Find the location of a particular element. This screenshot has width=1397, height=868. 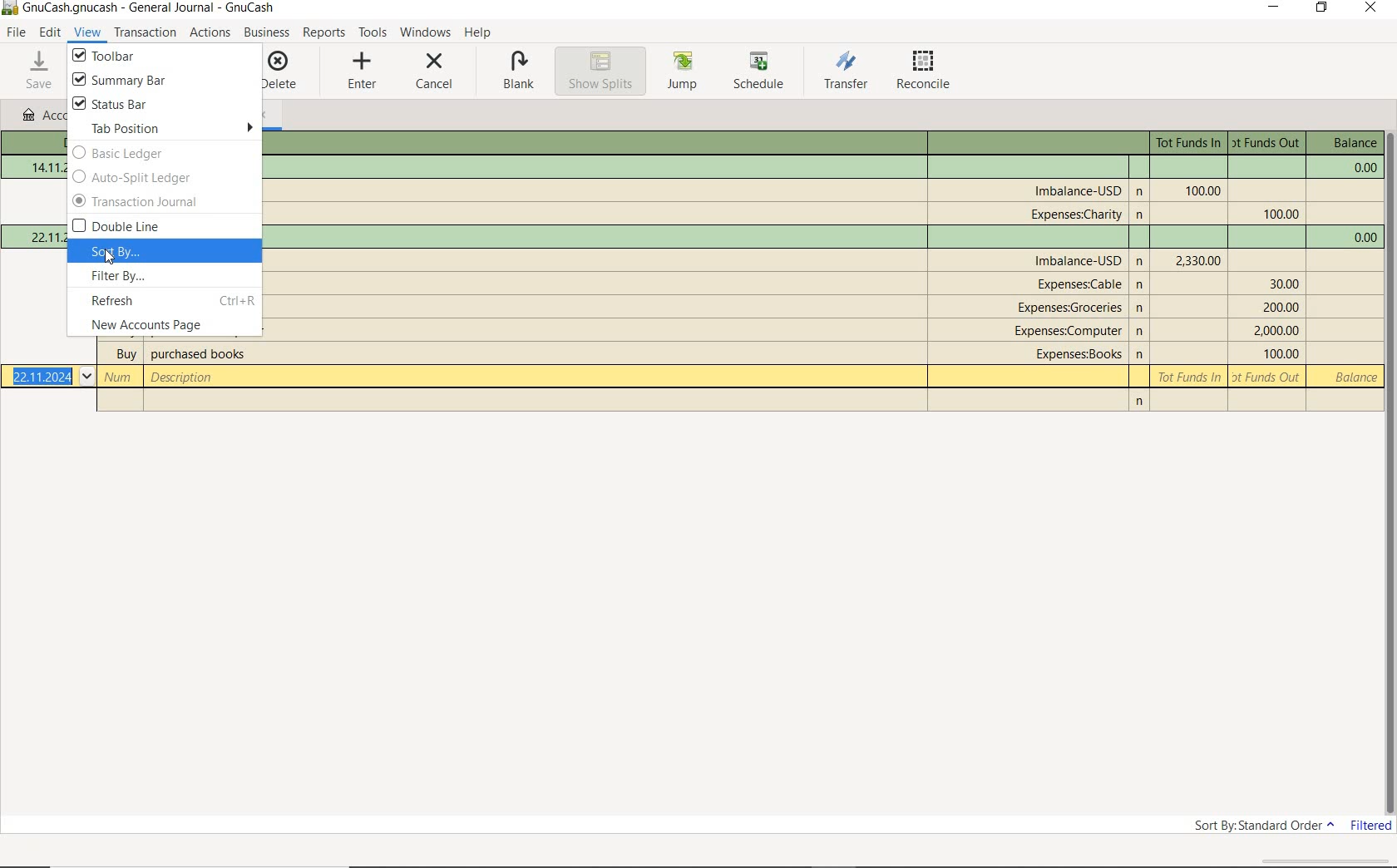

description is located at coordinates (184, 377).